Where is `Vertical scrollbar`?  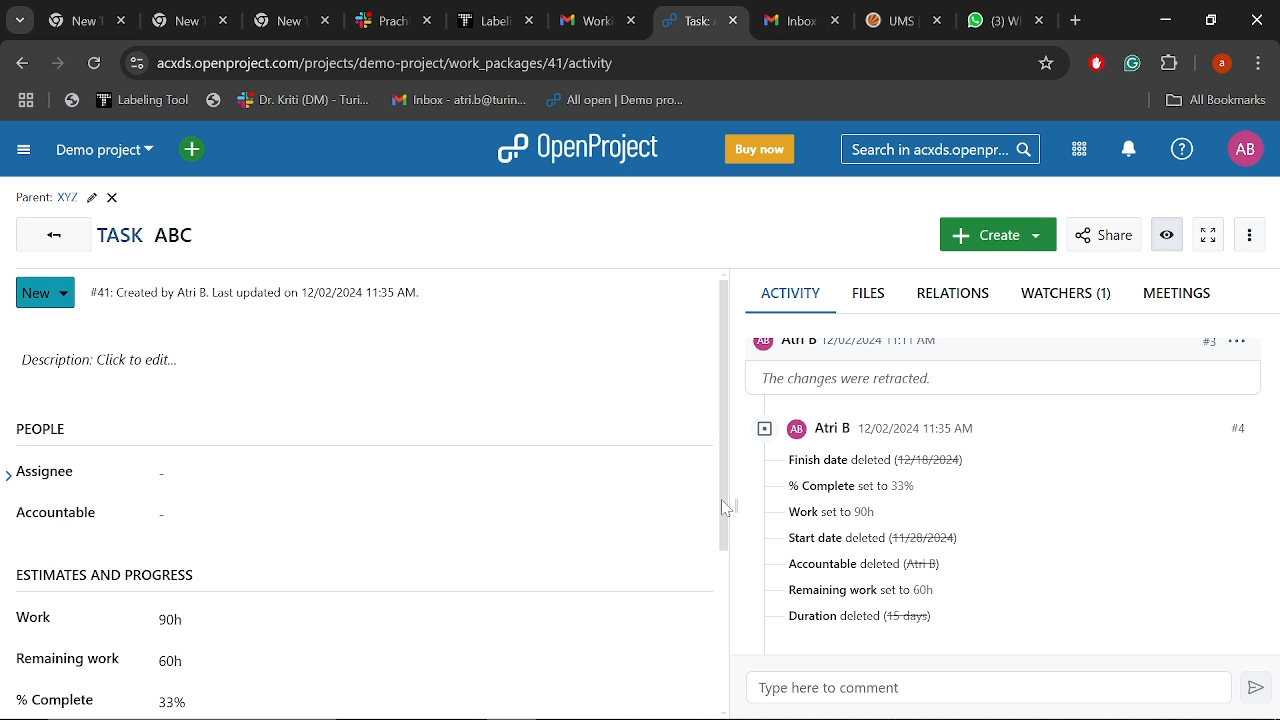
Vertical scrollbar is located at coordinates (723, 416).